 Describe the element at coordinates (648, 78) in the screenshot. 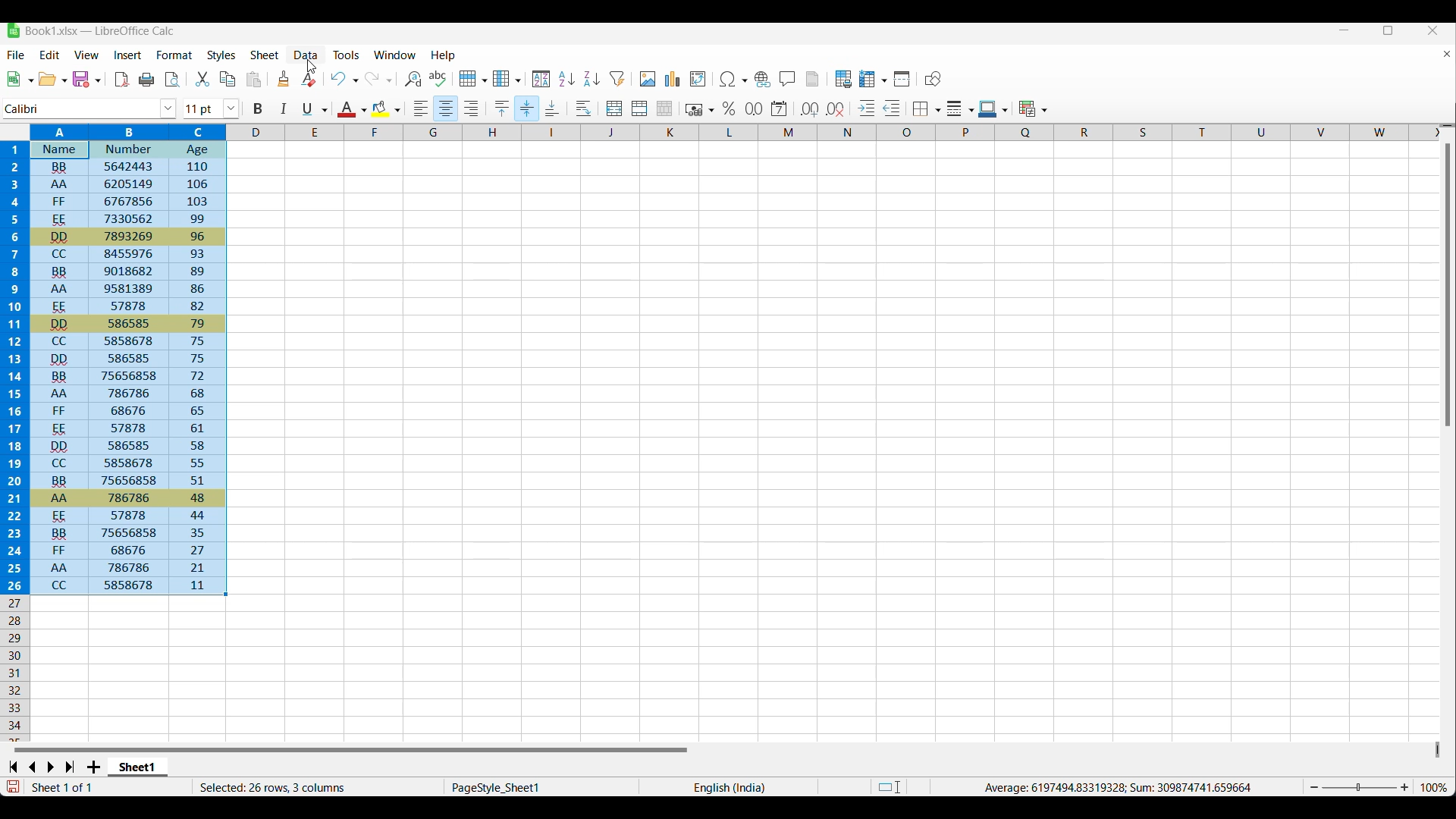

I see `Insert image` at that location.